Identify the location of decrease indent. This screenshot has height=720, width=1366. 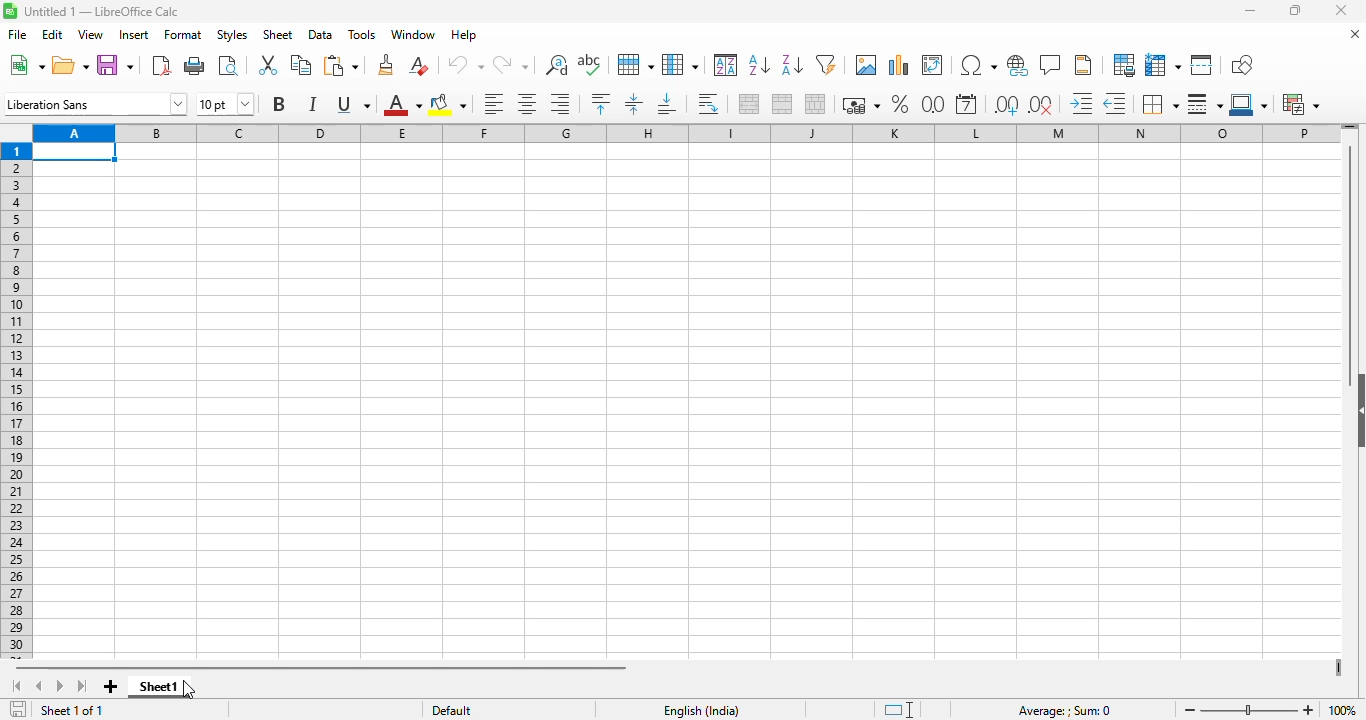
(1115, 102).